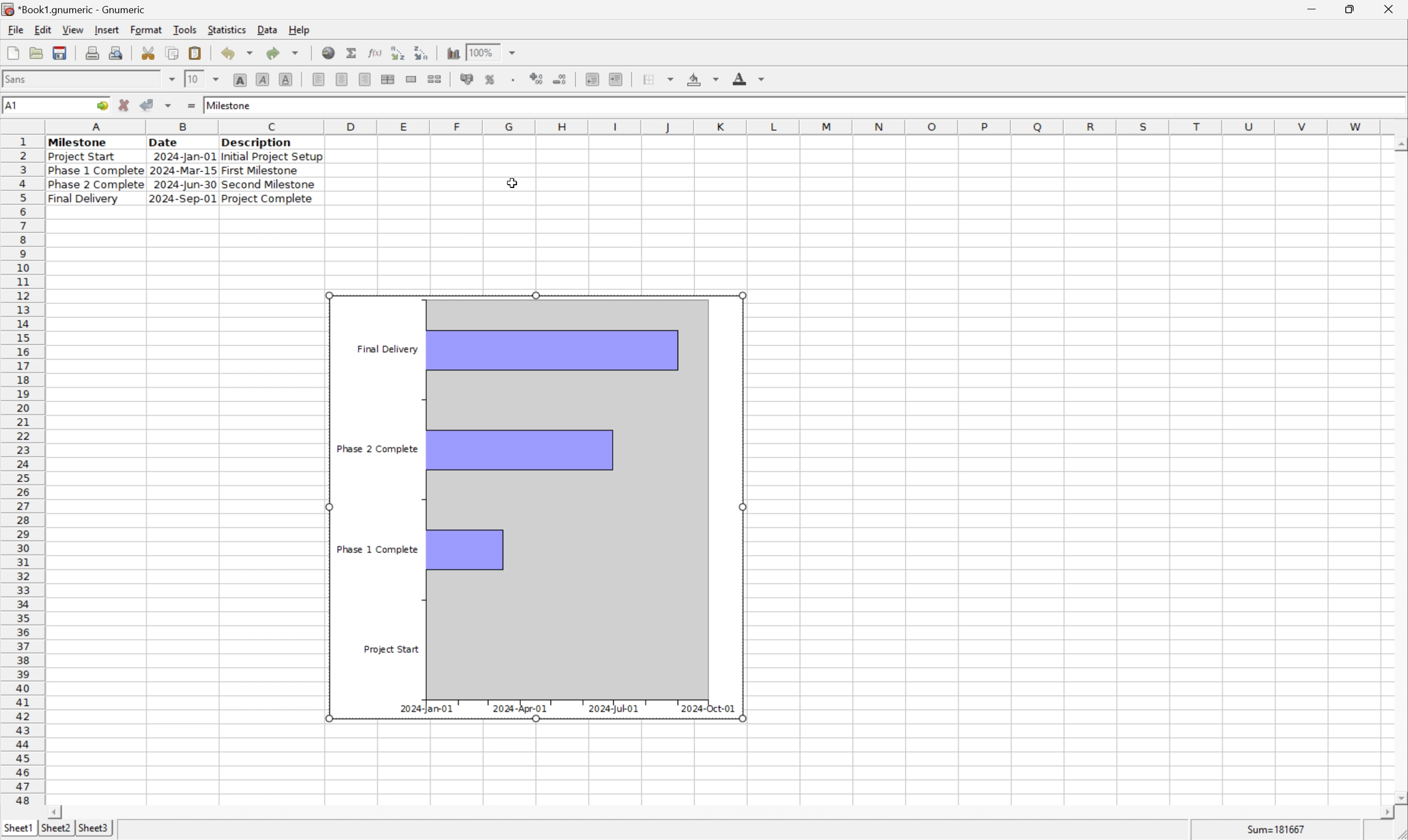  Describe the element at coordinates (149, 53) in the screenshot. I see `cut` at that location.